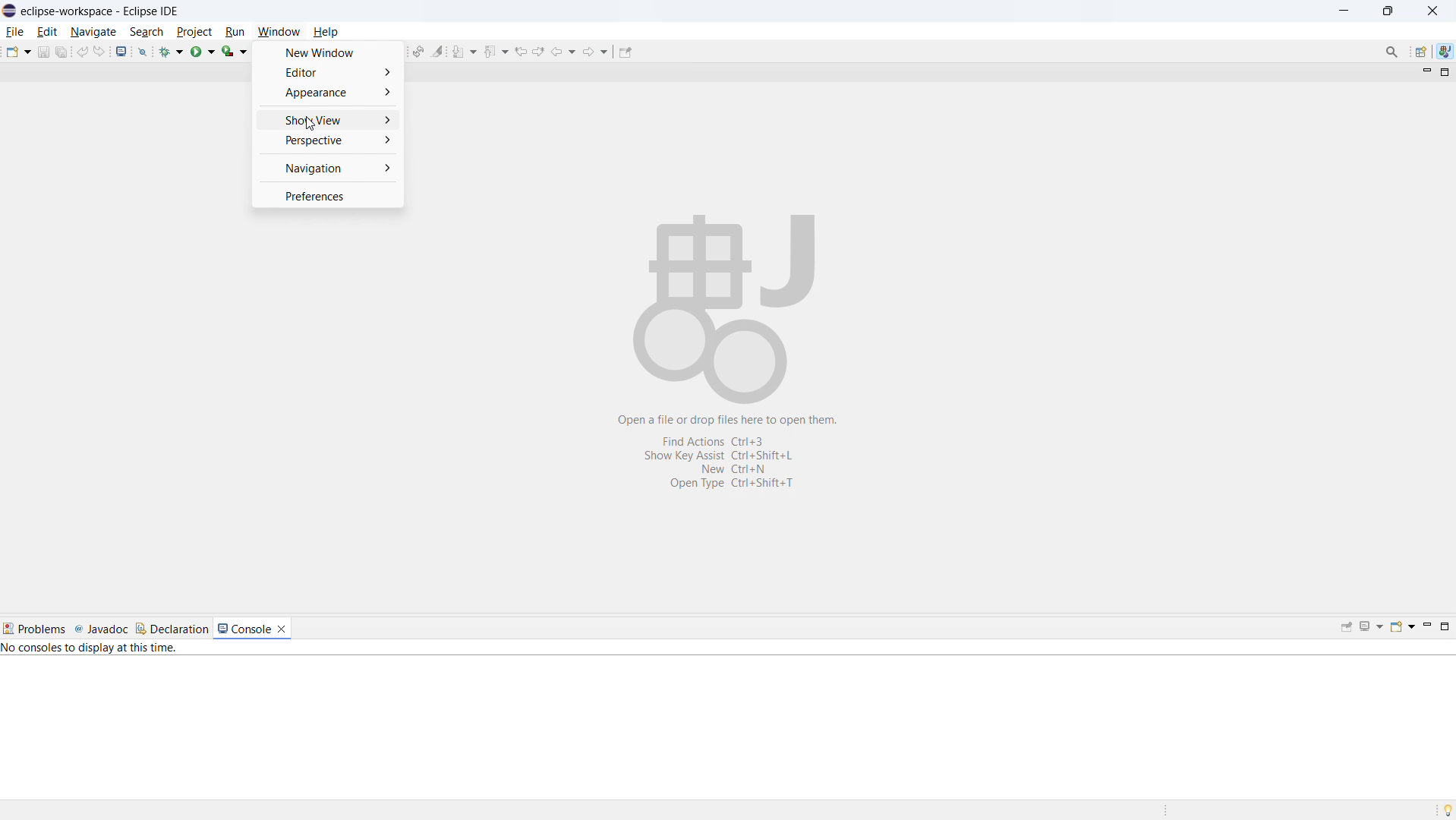  What do you see at coordinates (538, 51) in the screenshot?
I see `next edit location` at bounding box center [538, 51].